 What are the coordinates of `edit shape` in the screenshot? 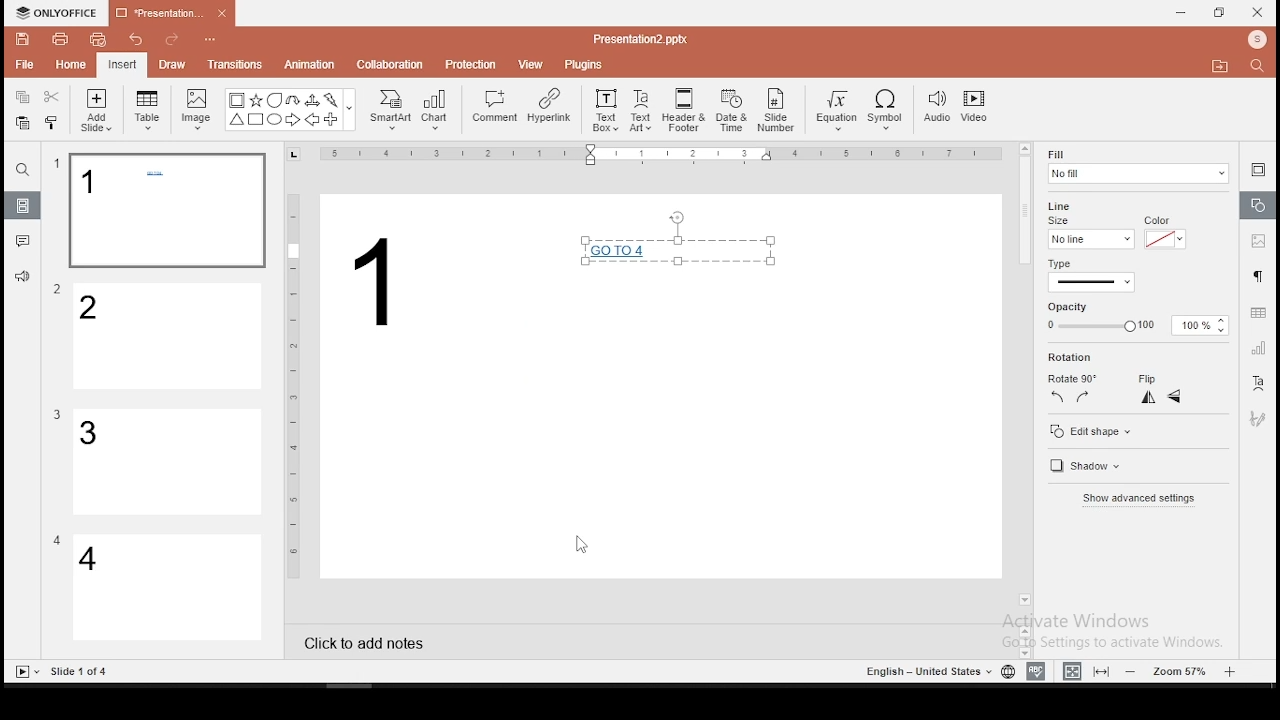 It's located at (1089, 431).